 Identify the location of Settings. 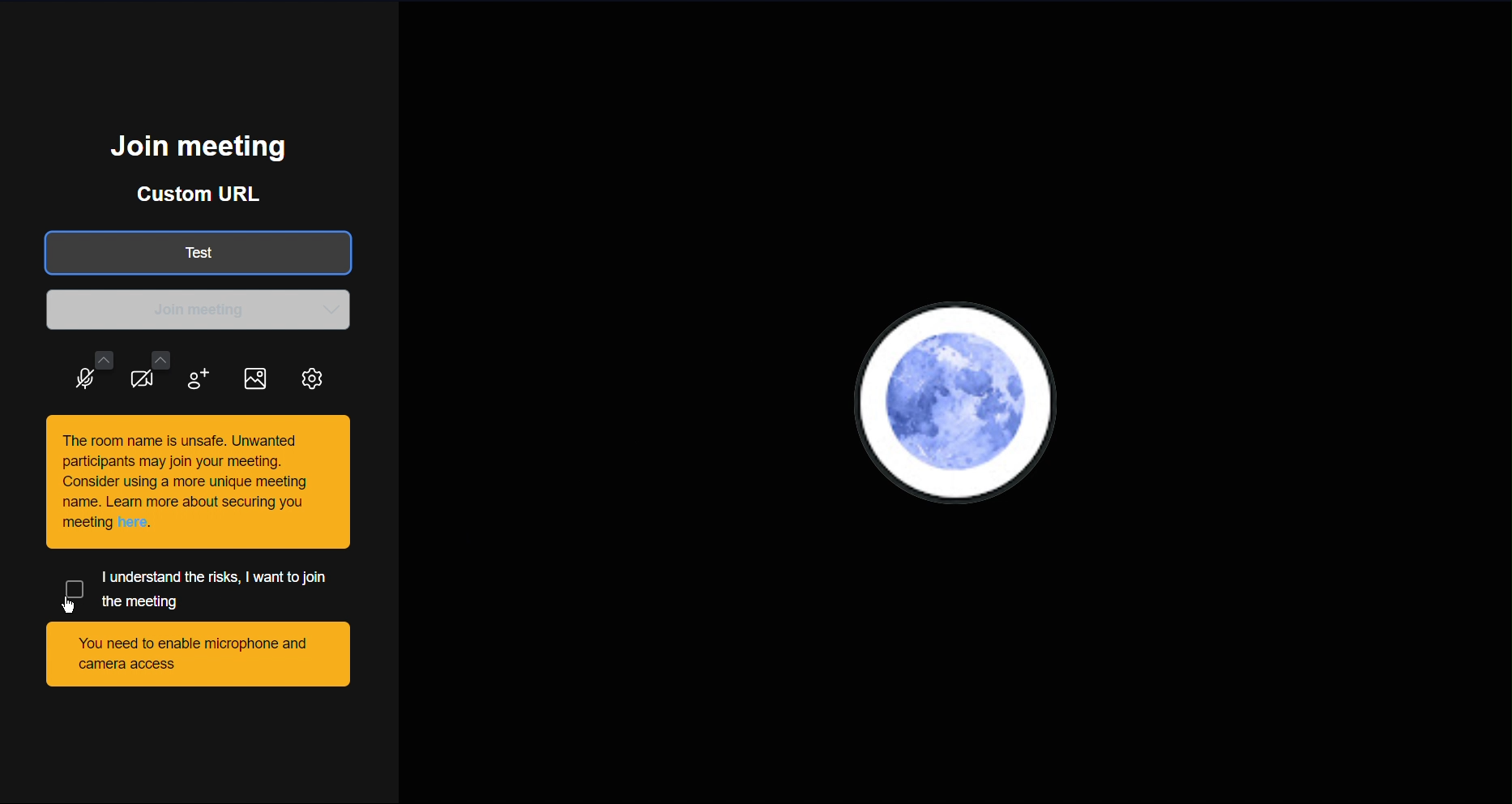
(312, 371).